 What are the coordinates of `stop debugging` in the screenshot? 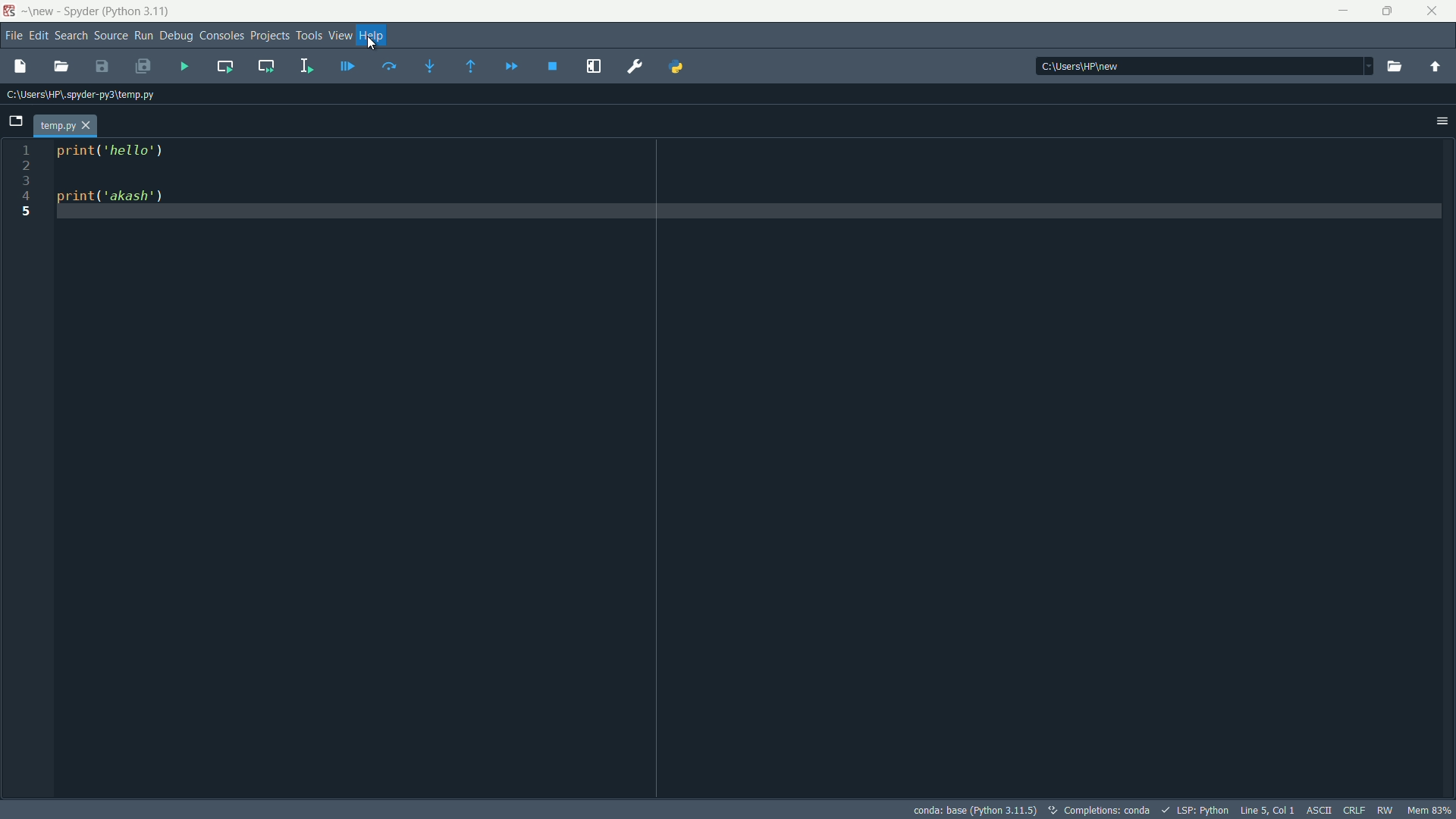 It's located at (554, 66).